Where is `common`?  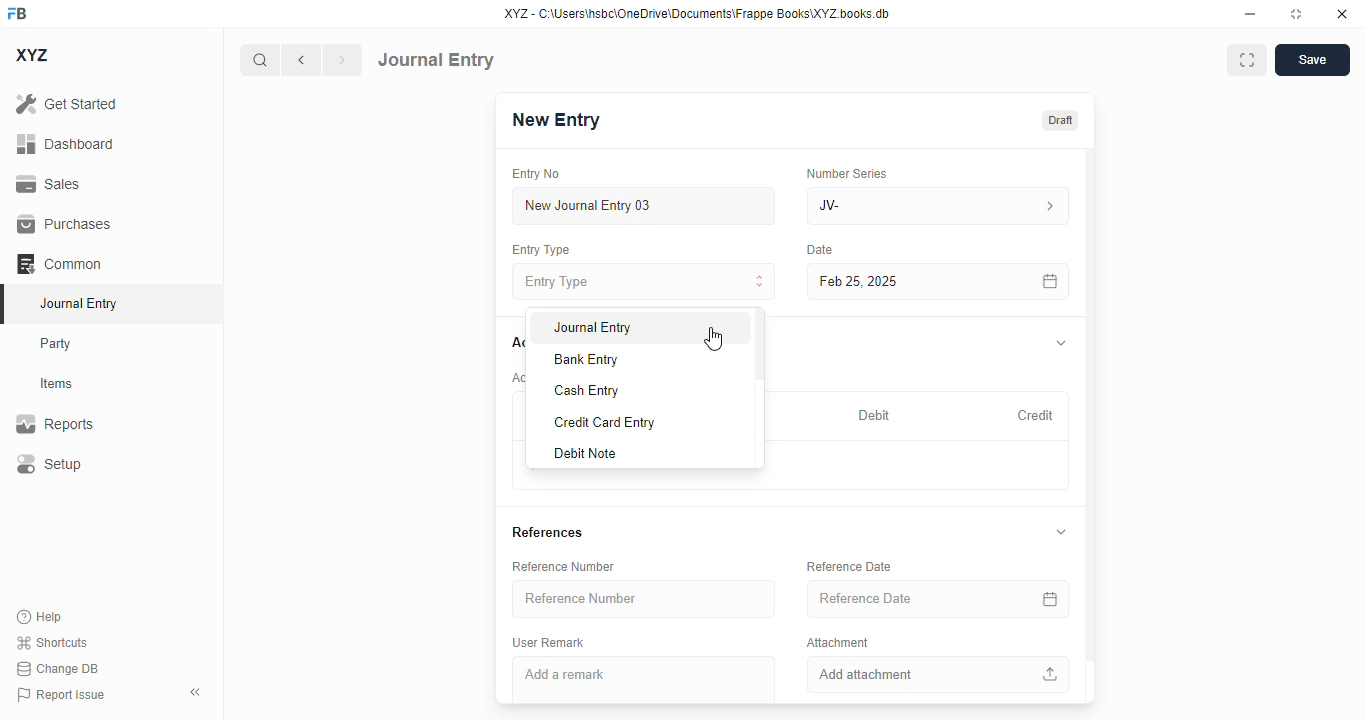
common is located at coordinates (59, 264).